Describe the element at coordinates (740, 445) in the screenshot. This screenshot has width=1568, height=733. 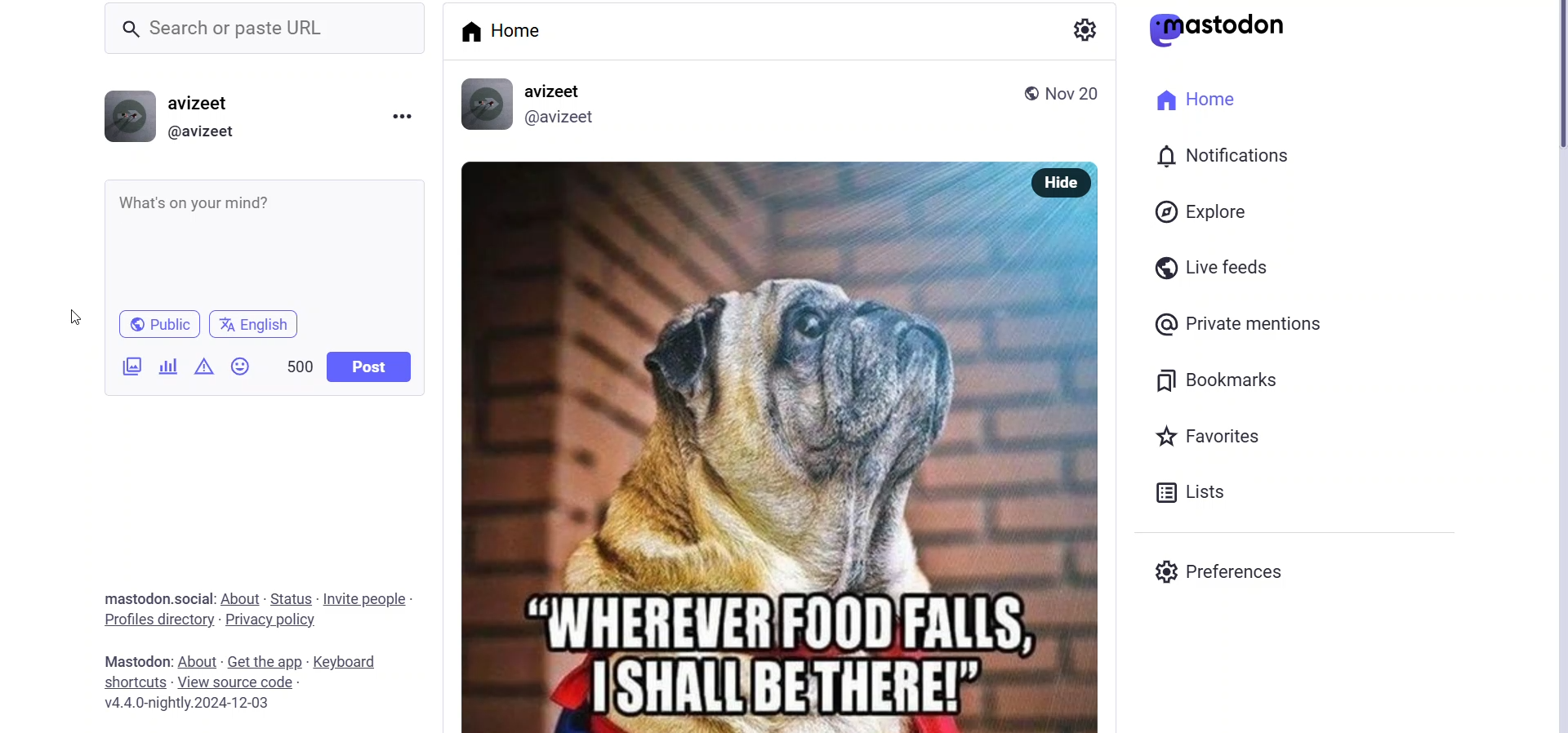
I see `posted picture` at that location.